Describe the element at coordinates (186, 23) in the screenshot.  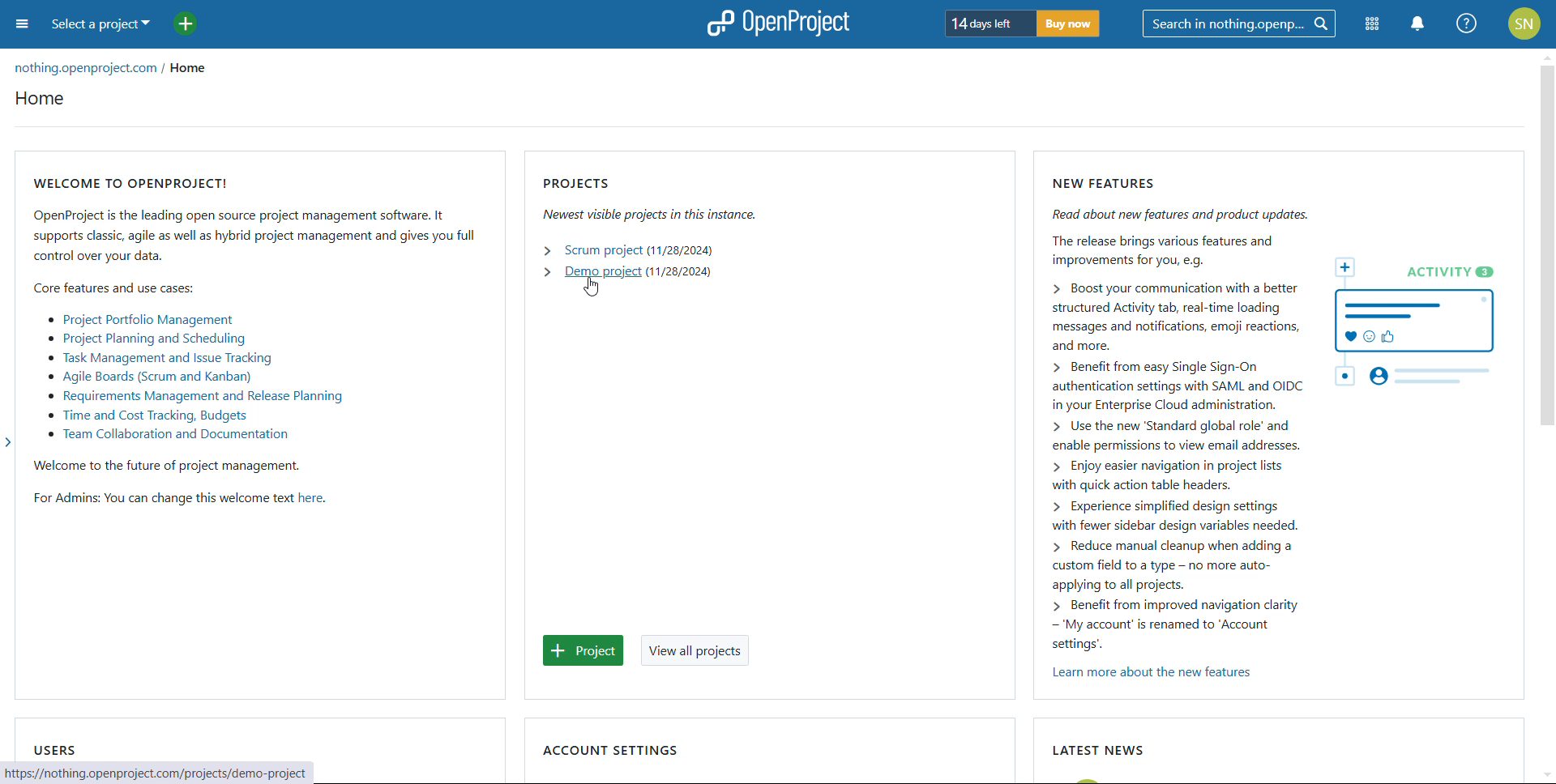
I see `add project` at that location.